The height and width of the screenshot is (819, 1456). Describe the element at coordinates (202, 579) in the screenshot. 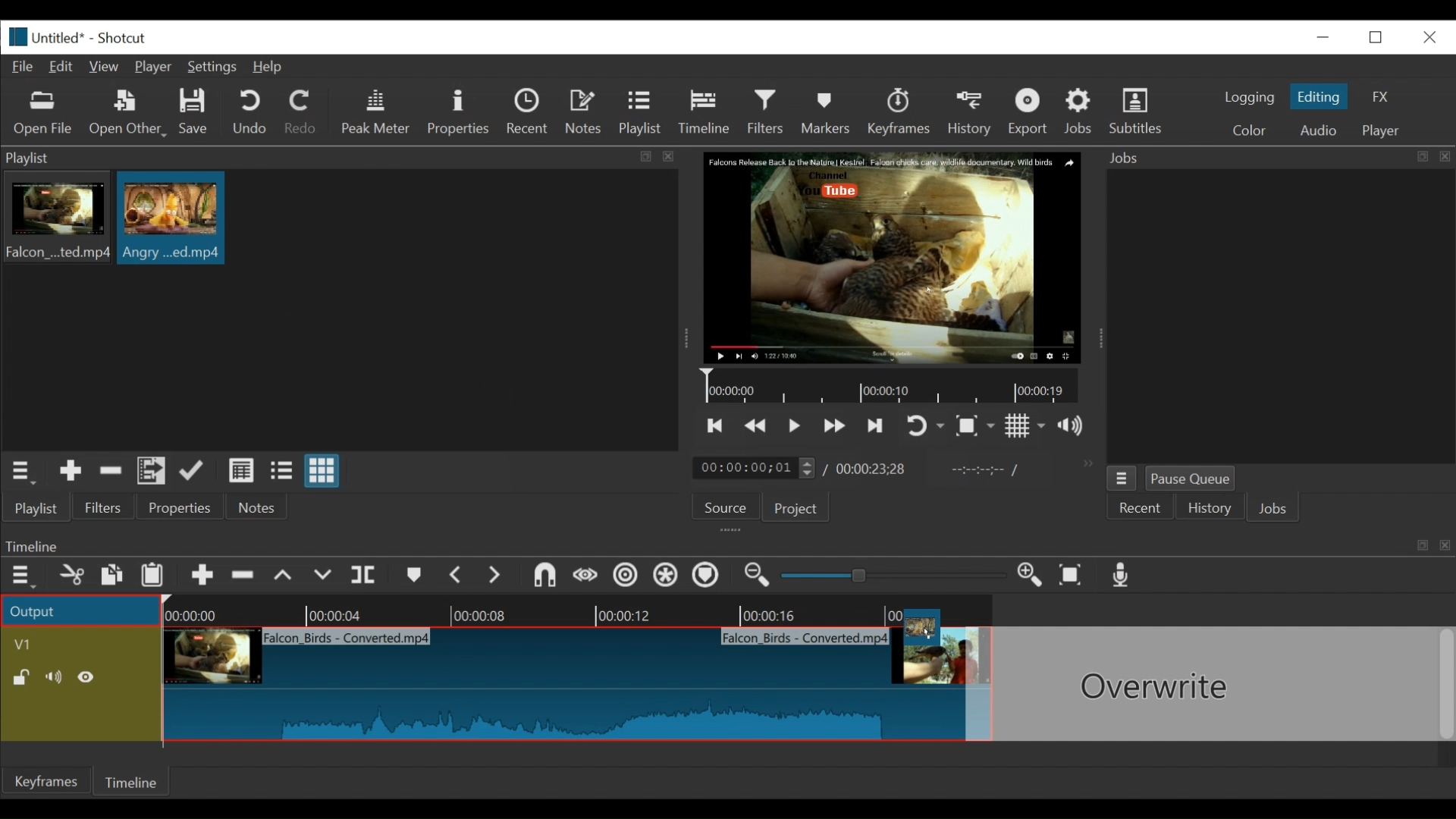

I see `Append` at that location.